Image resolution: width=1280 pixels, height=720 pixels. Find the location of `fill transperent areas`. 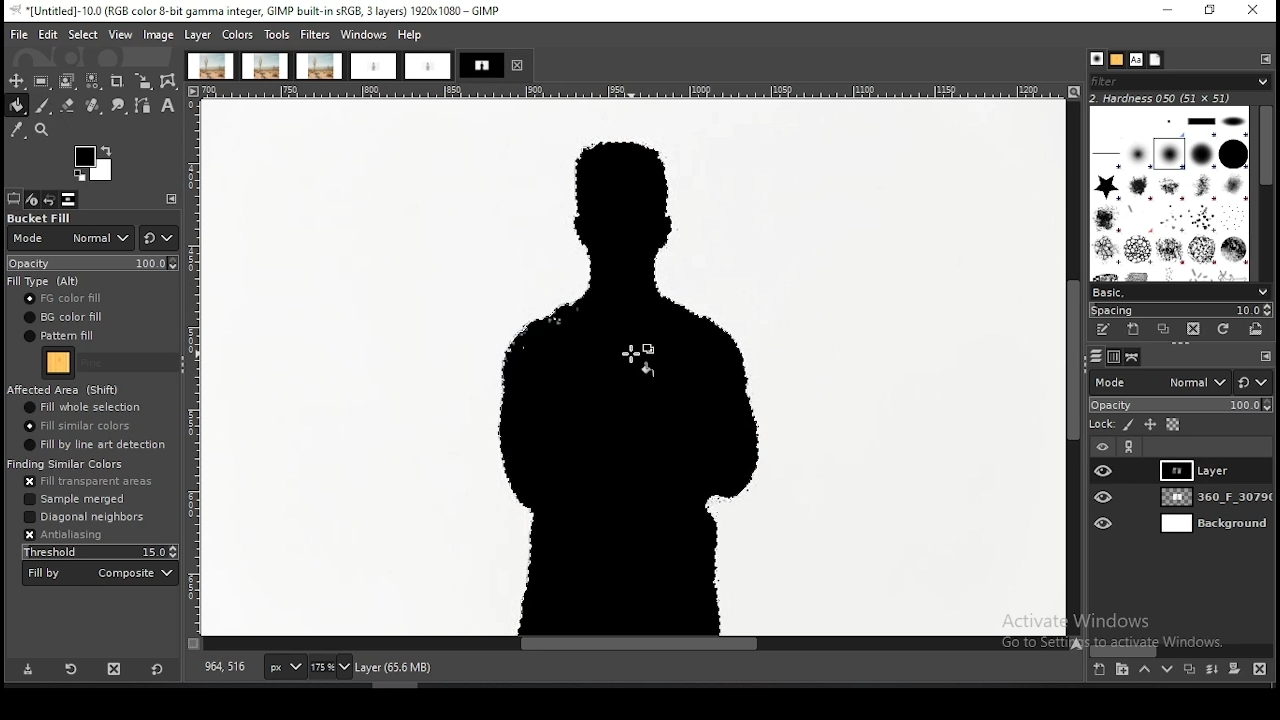

fill transperent areas is located at coordinates (89, 483).